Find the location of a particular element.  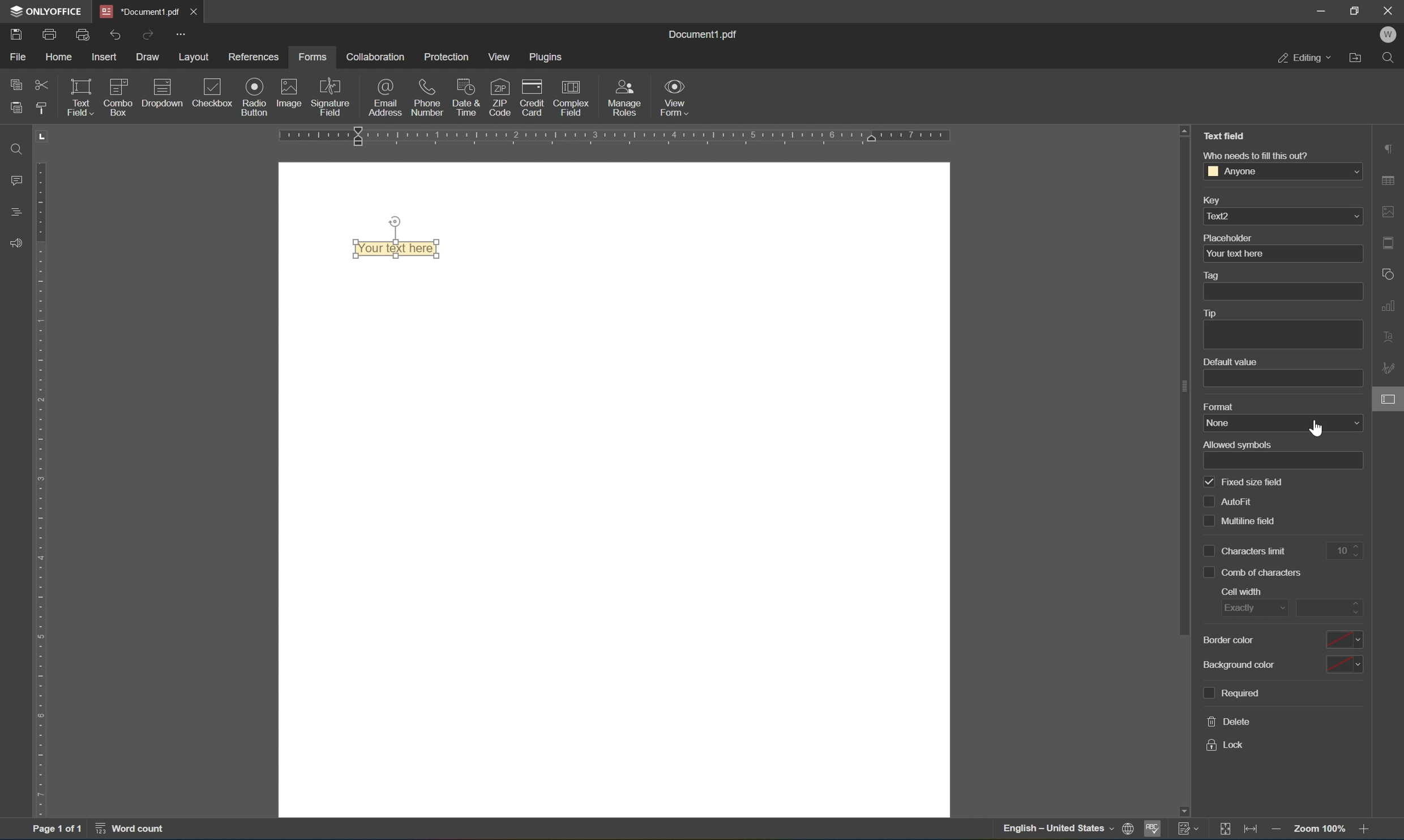

feedback & support is located at coordinates (15, 240).